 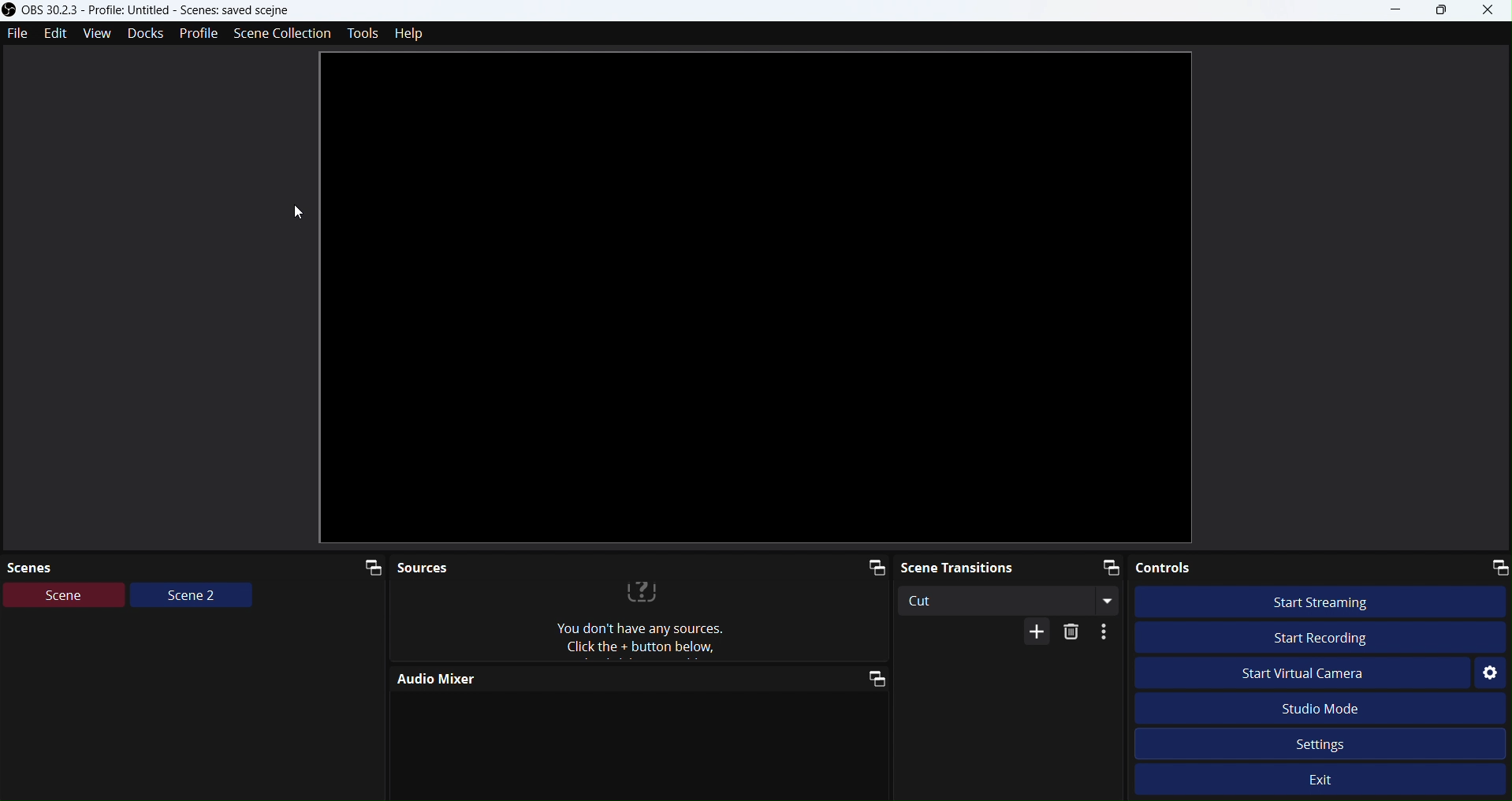 What do you see at coordinates (283, 35) in the screenshot?
I see `Scenecollection` at bounding box center [283, 35].